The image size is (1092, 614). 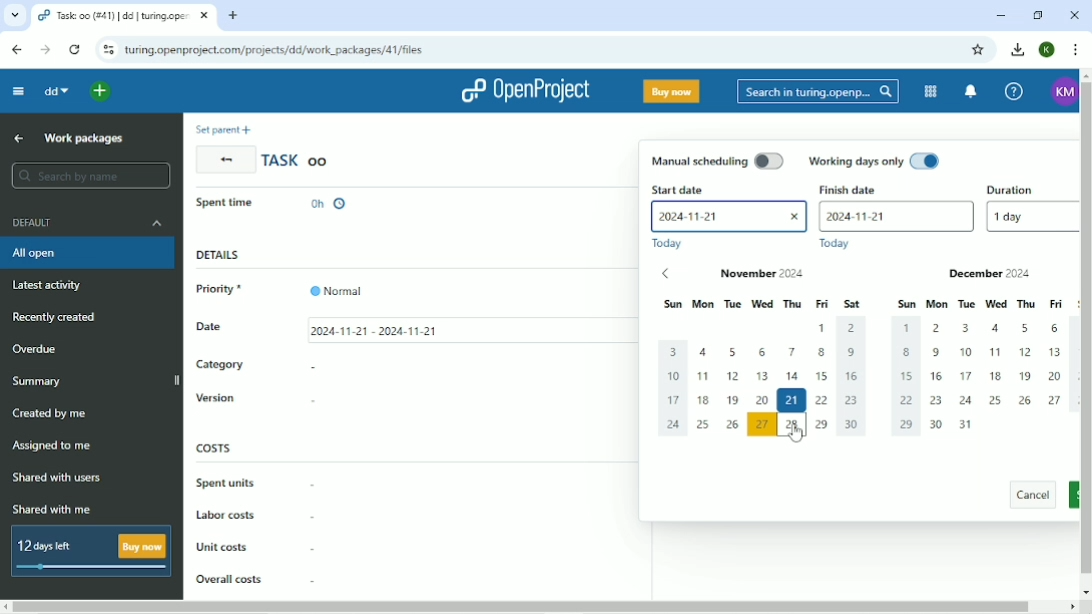 What do you see at coordinates (19, 139) in the screenshot?
I see `Up` at bounding box center [19, 139].